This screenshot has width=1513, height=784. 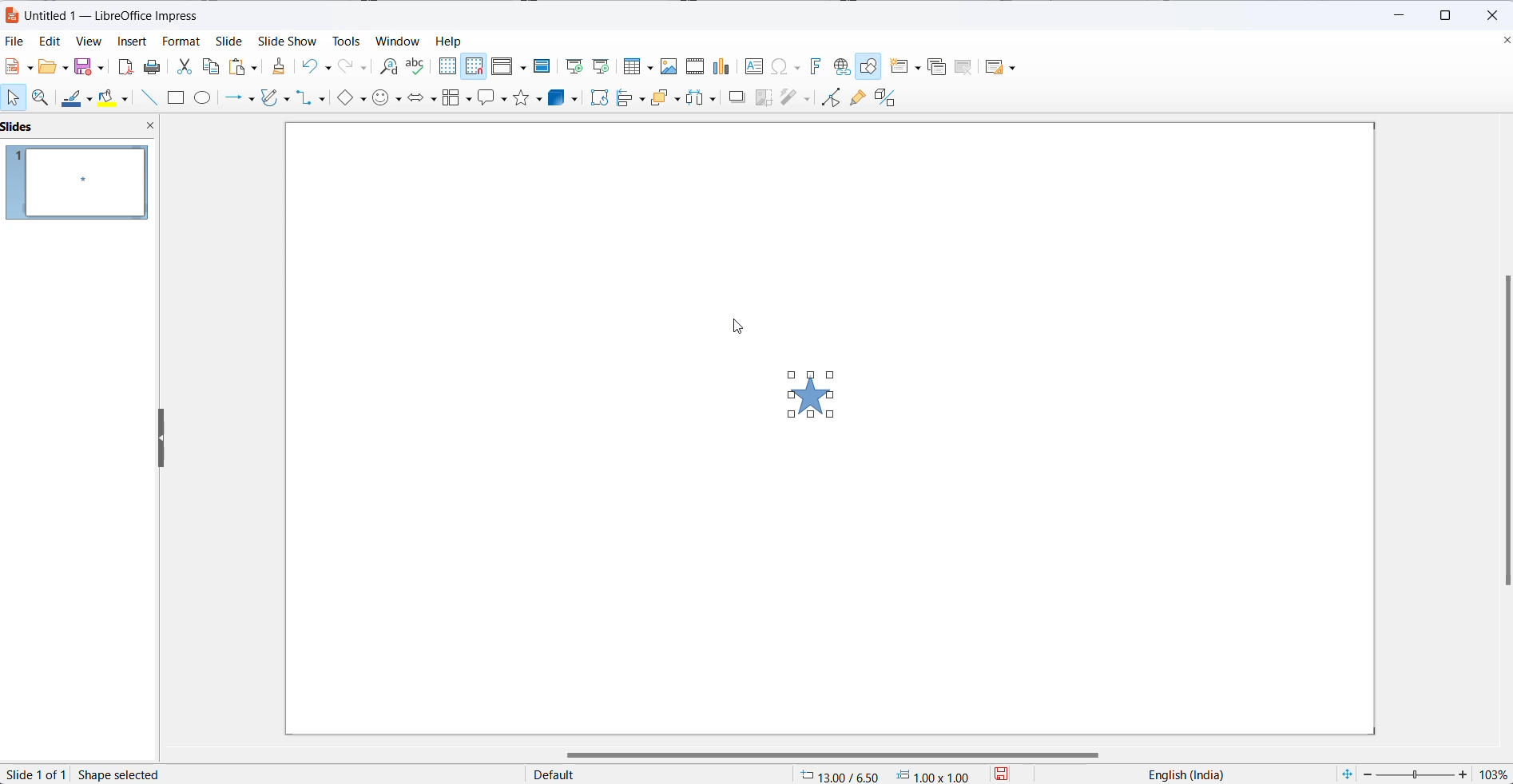 I want to click on Untitled 1-LibreOffice Impress, so click(x=124, y=14).